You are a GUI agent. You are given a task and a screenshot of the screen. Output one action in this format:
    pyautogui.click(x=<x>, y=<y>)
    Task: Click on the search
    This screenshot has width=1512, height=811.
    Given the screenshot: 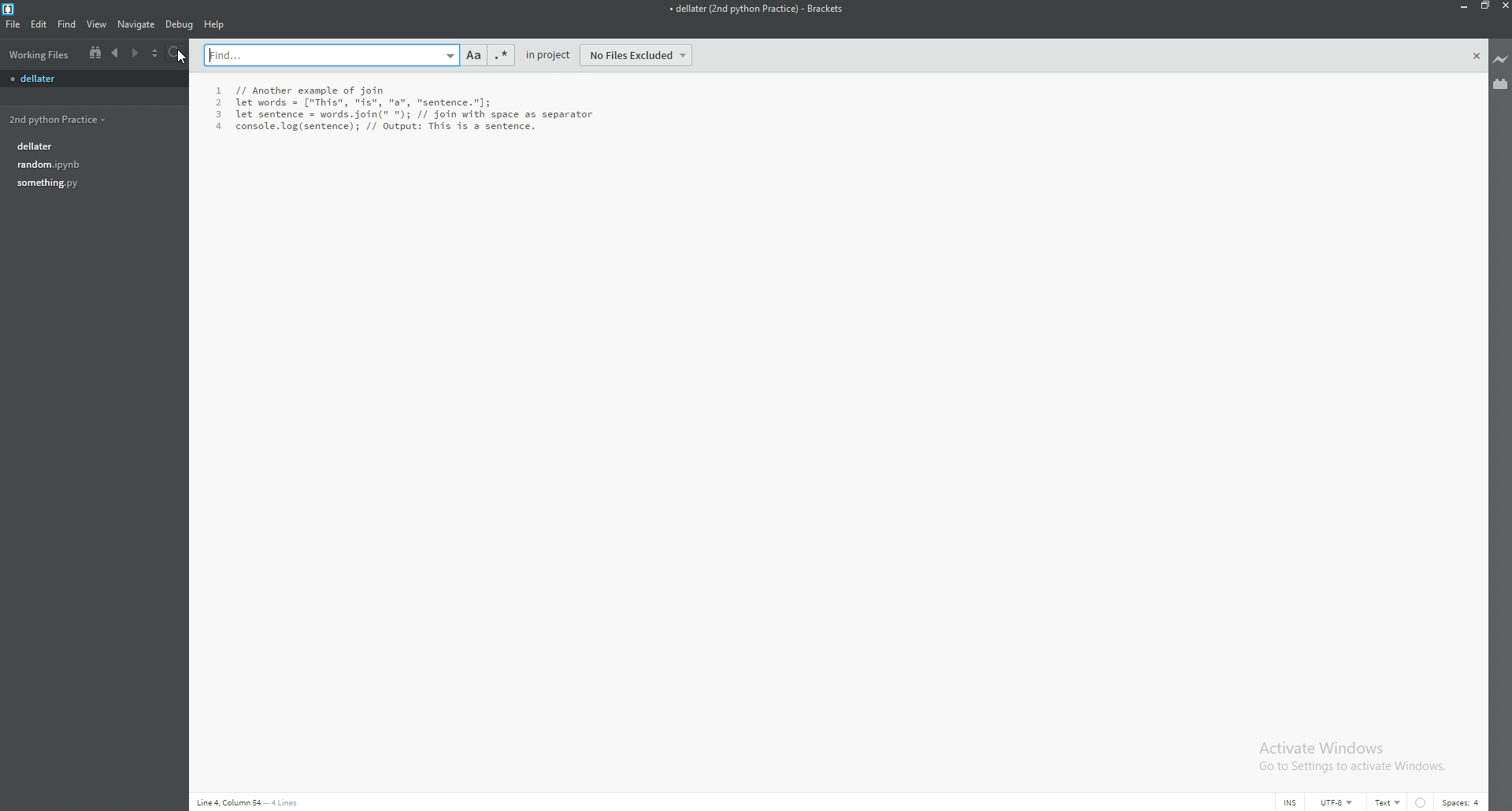 What is the action you would take?
    pyautogui.click(x=181, y=54)
    